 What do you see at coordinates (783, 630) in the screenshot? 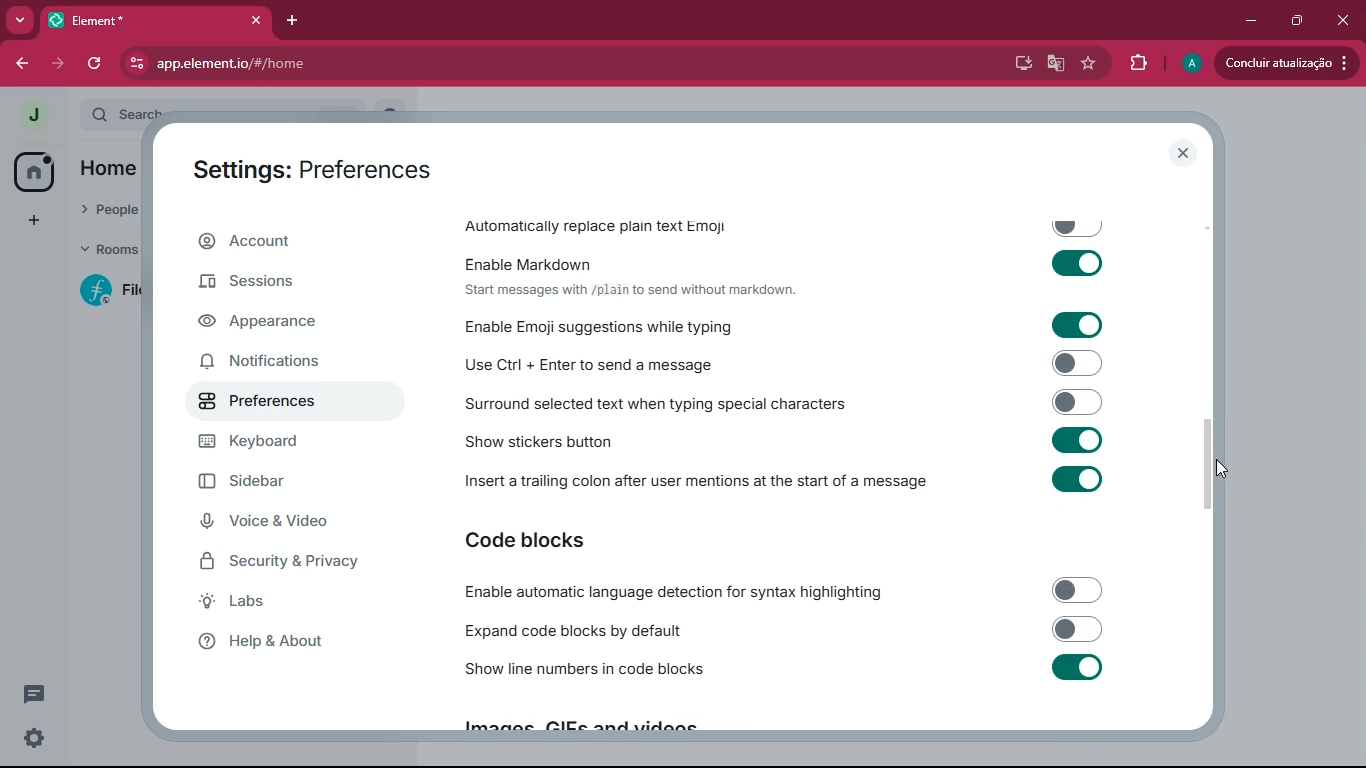
I see `Expand code blocks by default` at bounding box center [783, 630].